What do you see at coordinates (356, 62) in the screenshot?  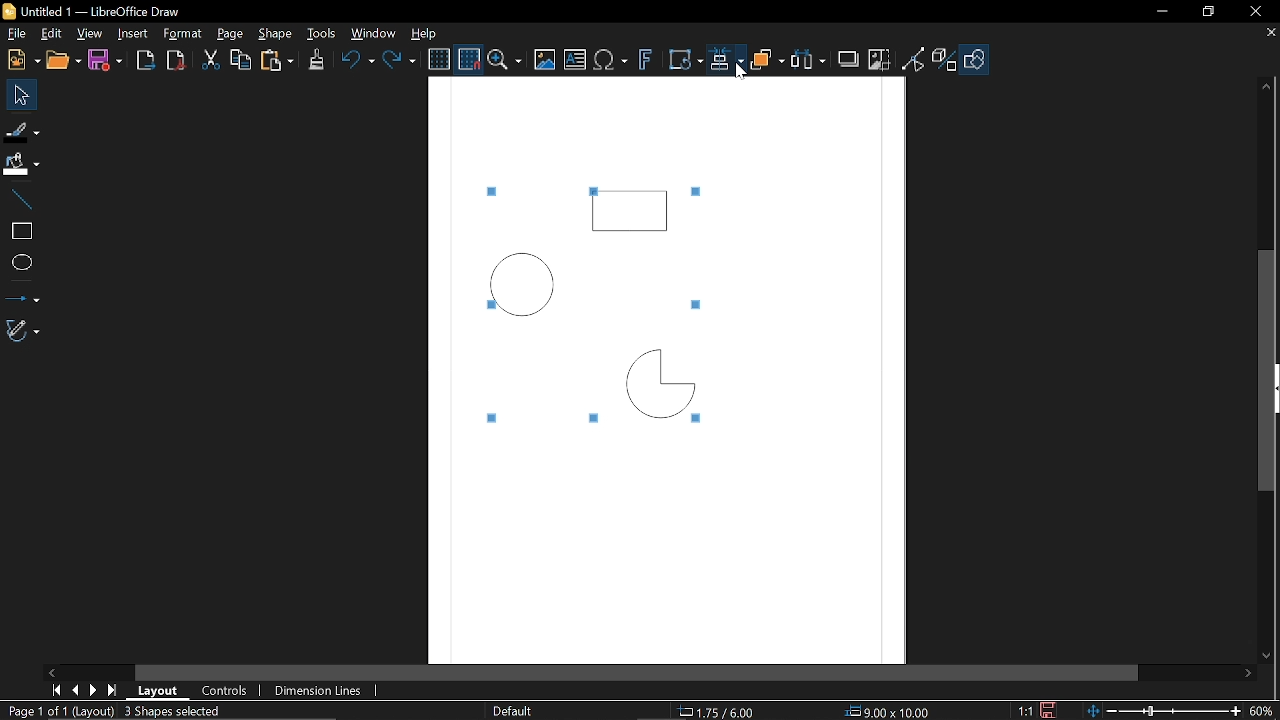 I see `Undo` at bounding box center [356, 62].